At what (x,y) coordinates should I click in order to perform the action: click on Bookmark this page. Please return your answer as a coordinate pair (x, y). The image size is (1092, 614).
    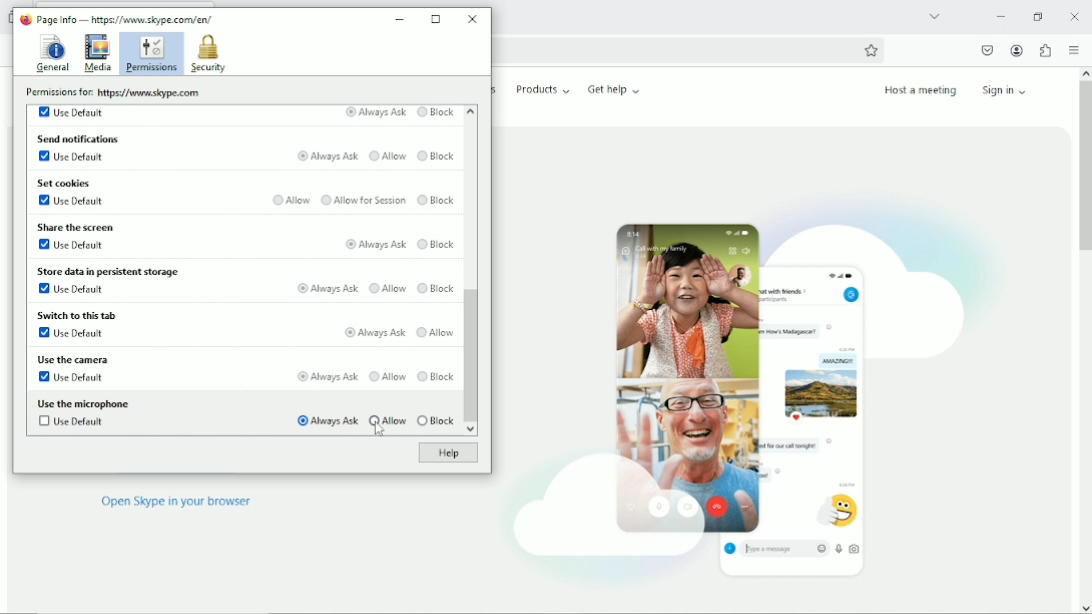
    Looking at the image, I should click on (871, 50).